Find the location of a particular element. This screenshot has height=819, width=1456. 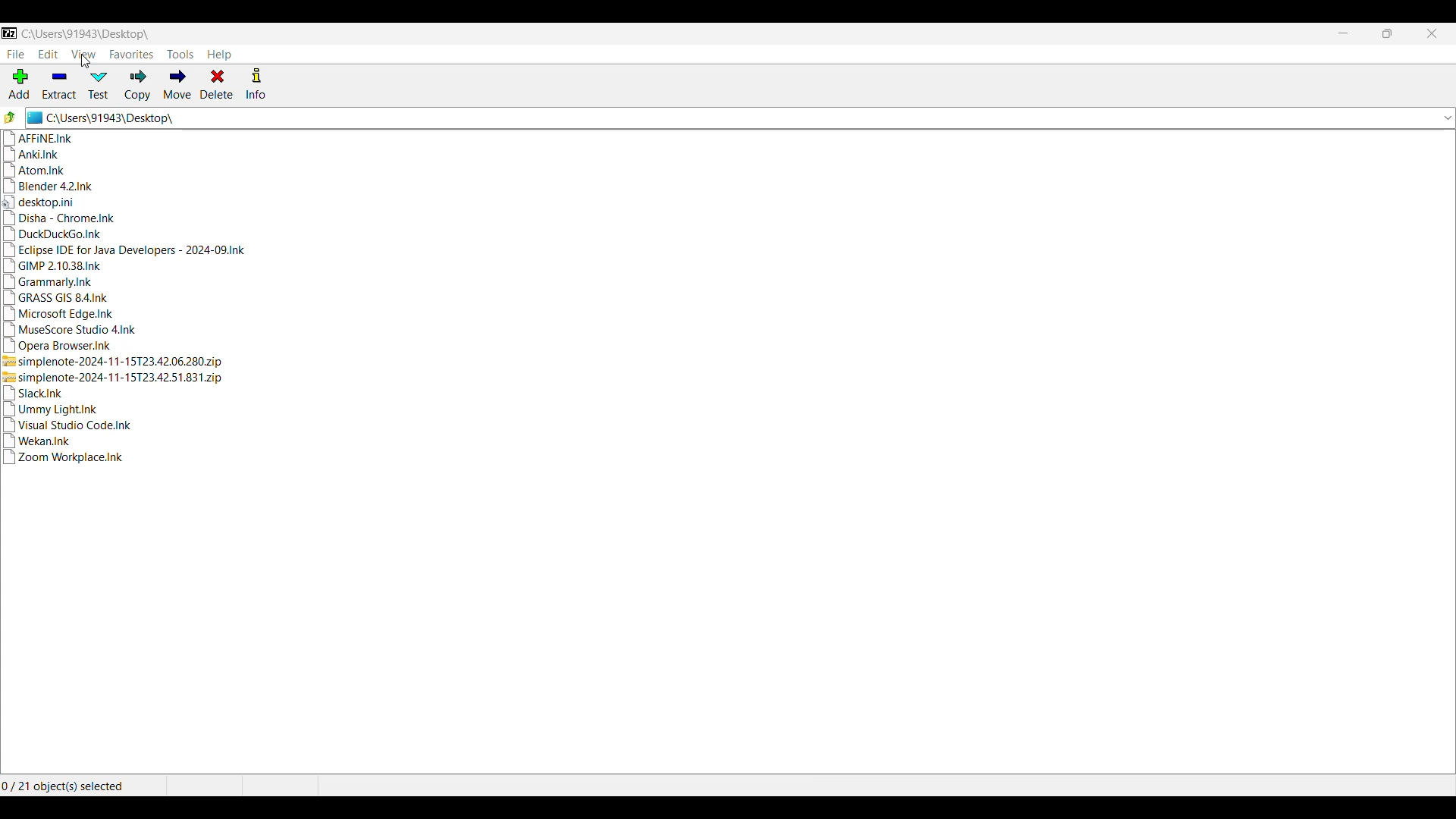

Grammarly.Ink is located at coordinates (49, 282).